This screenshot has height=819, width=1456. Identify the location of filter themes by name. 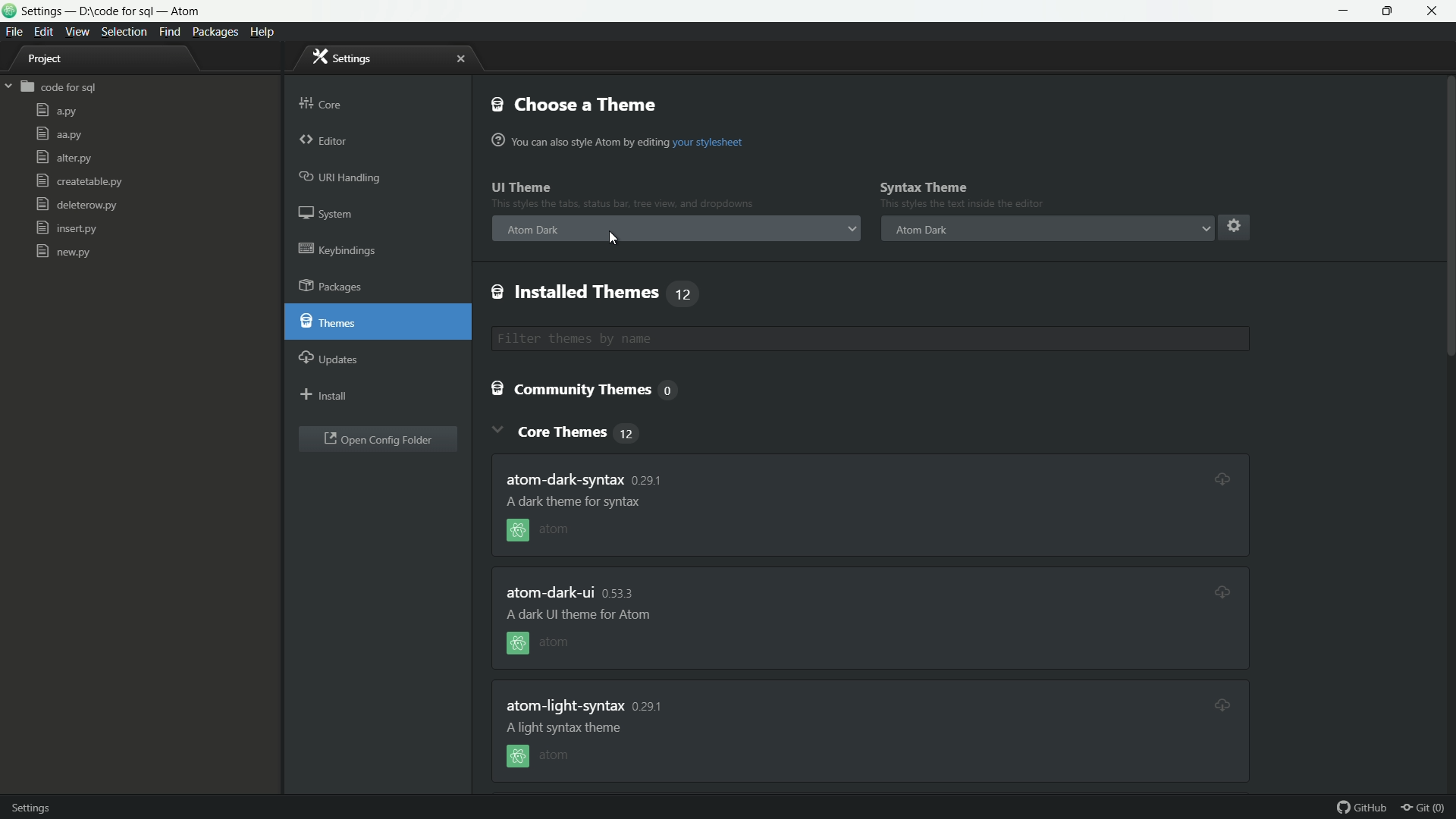
(721, 339).